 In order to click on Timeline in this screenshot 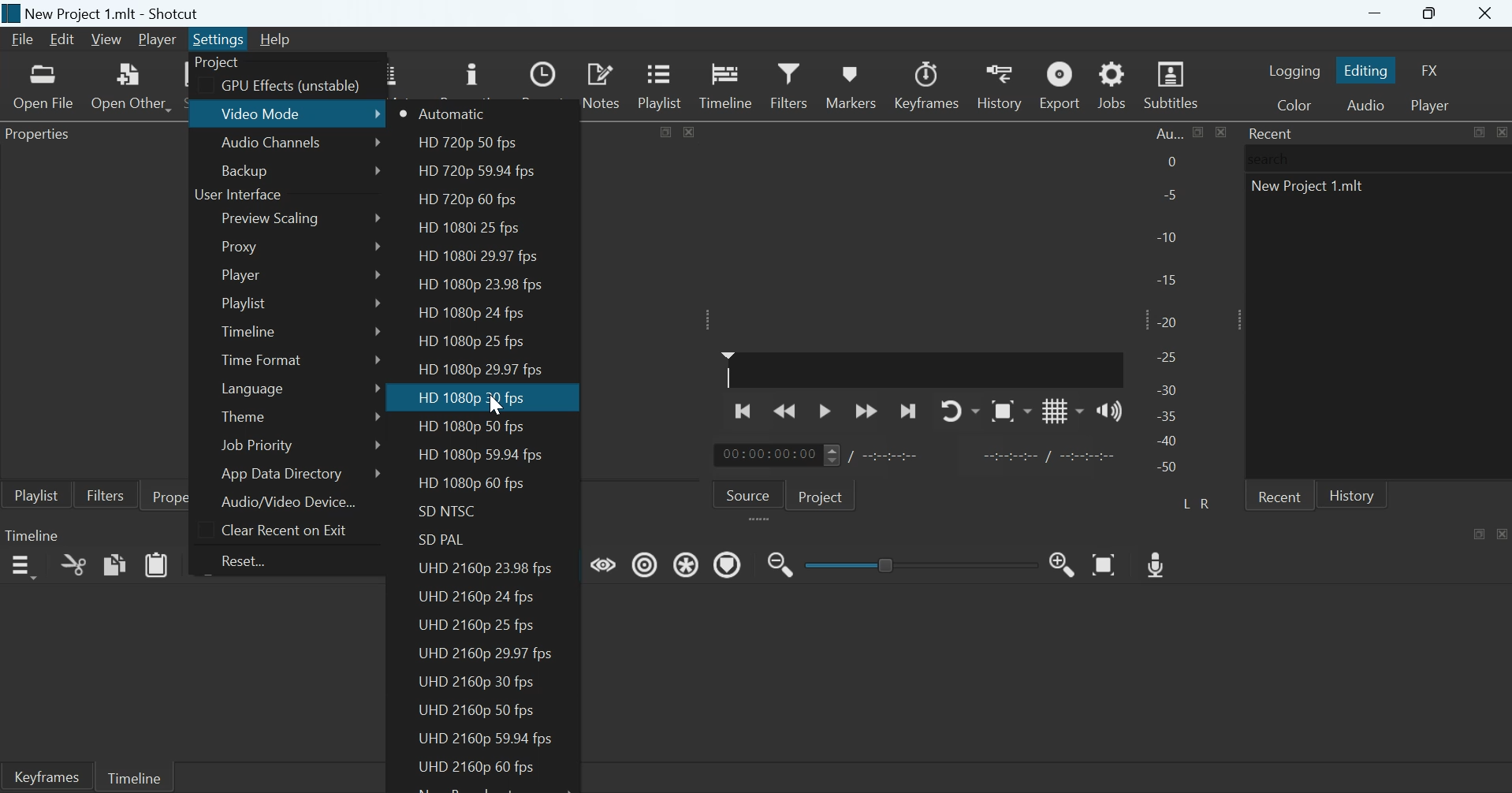, I will do `click(726, 84)`.